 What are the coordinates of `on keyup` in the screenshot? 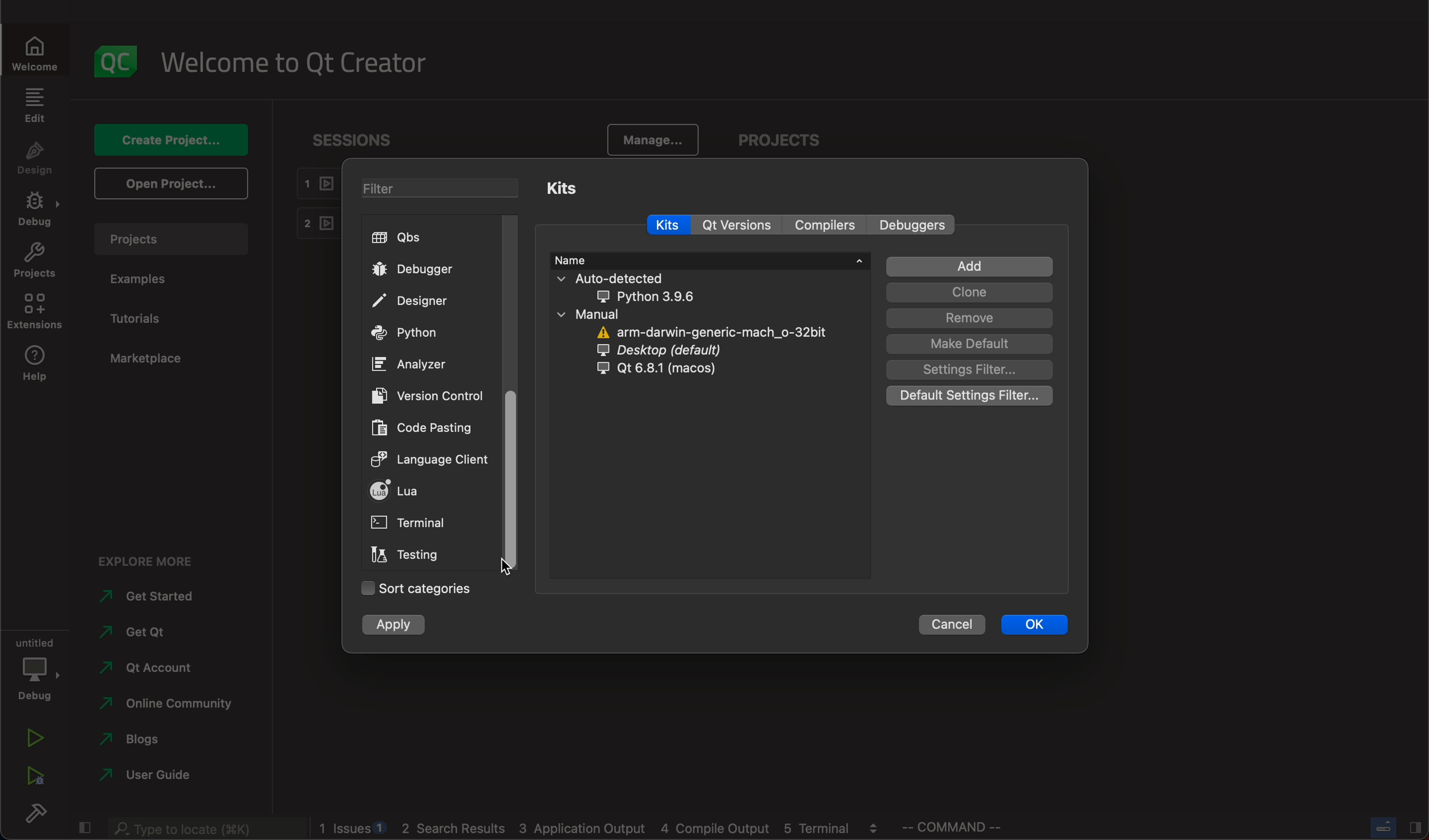 It's located at (505, 562).